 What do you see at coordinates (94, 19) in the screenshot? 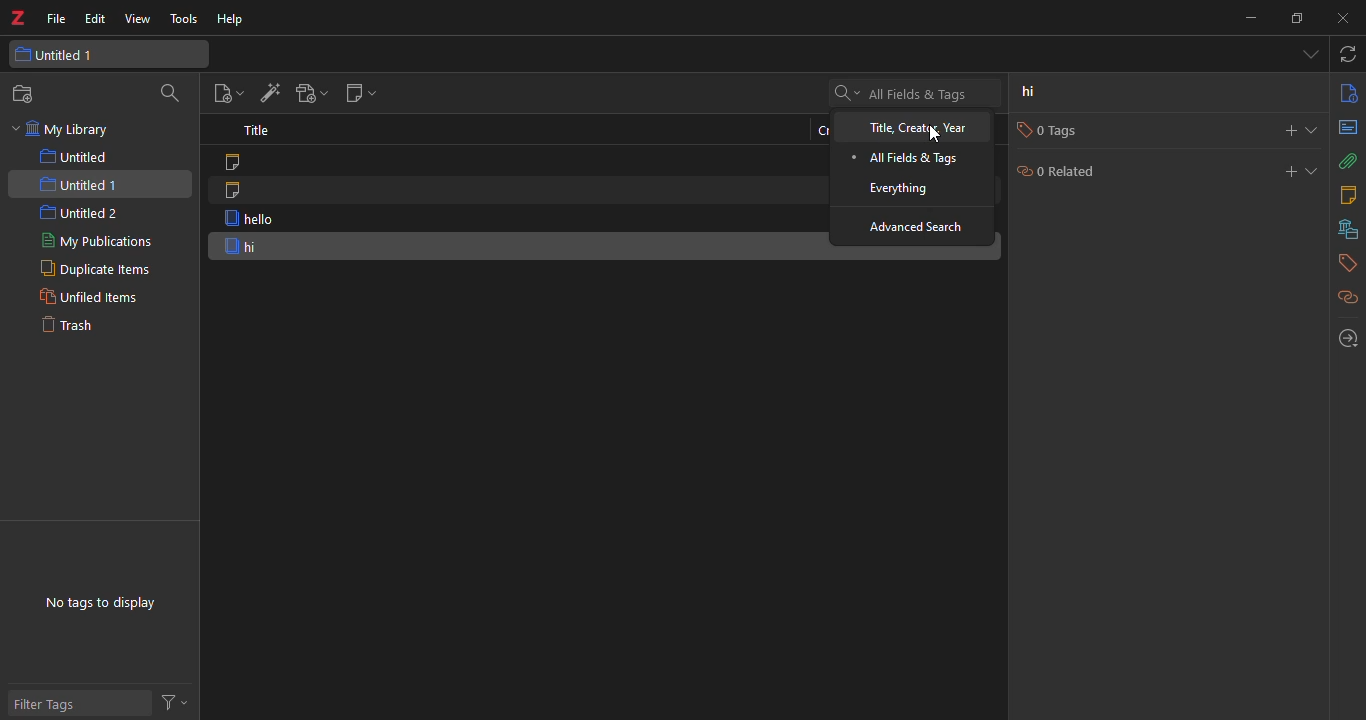
I see `edit` at bounding box center [94, 19].